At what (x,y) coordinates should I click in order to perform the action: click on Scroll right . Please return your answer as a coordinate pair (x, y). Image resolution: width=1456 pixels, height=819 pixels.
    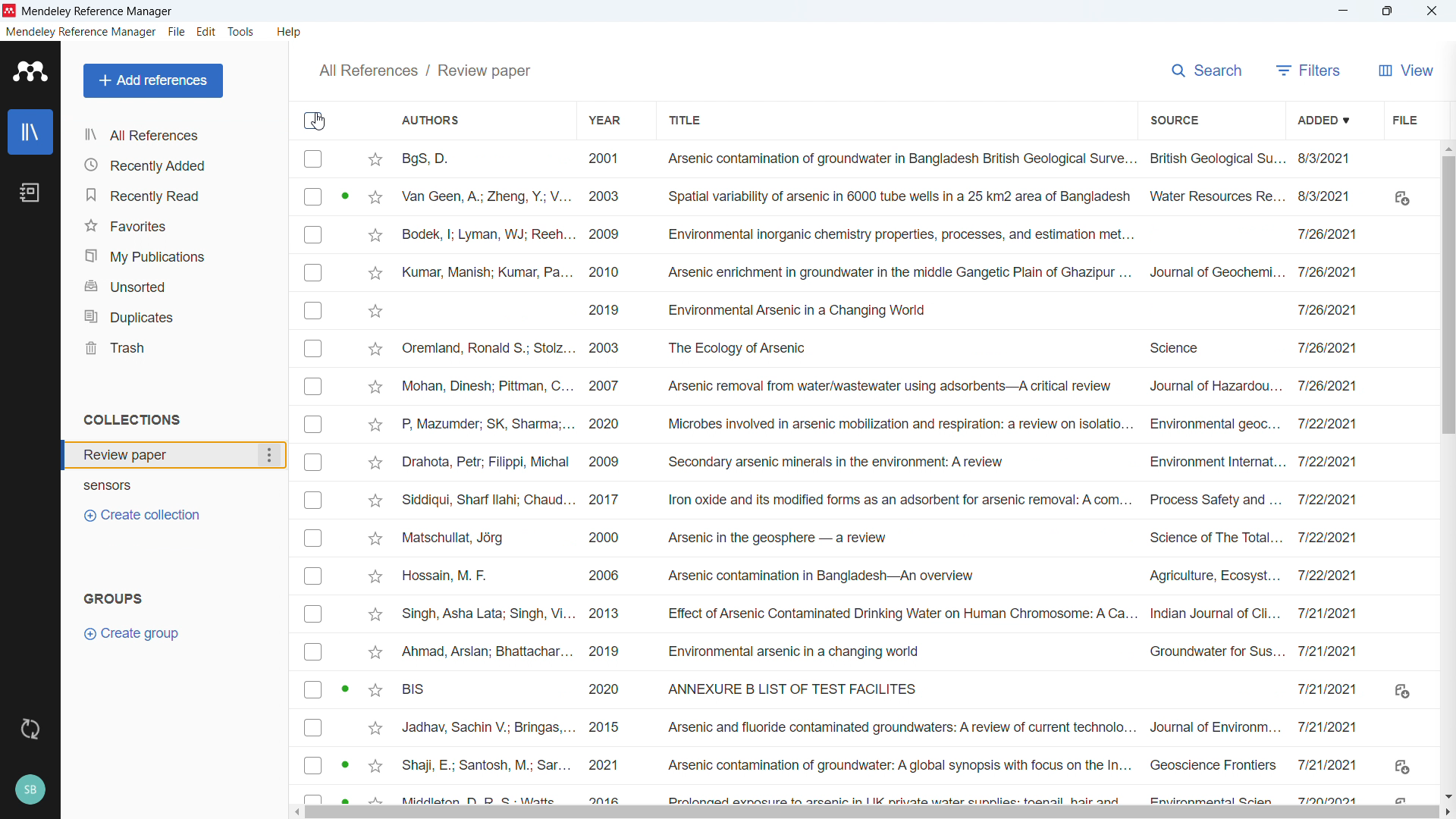
    Looking at the image, I should click on (1447, 812).